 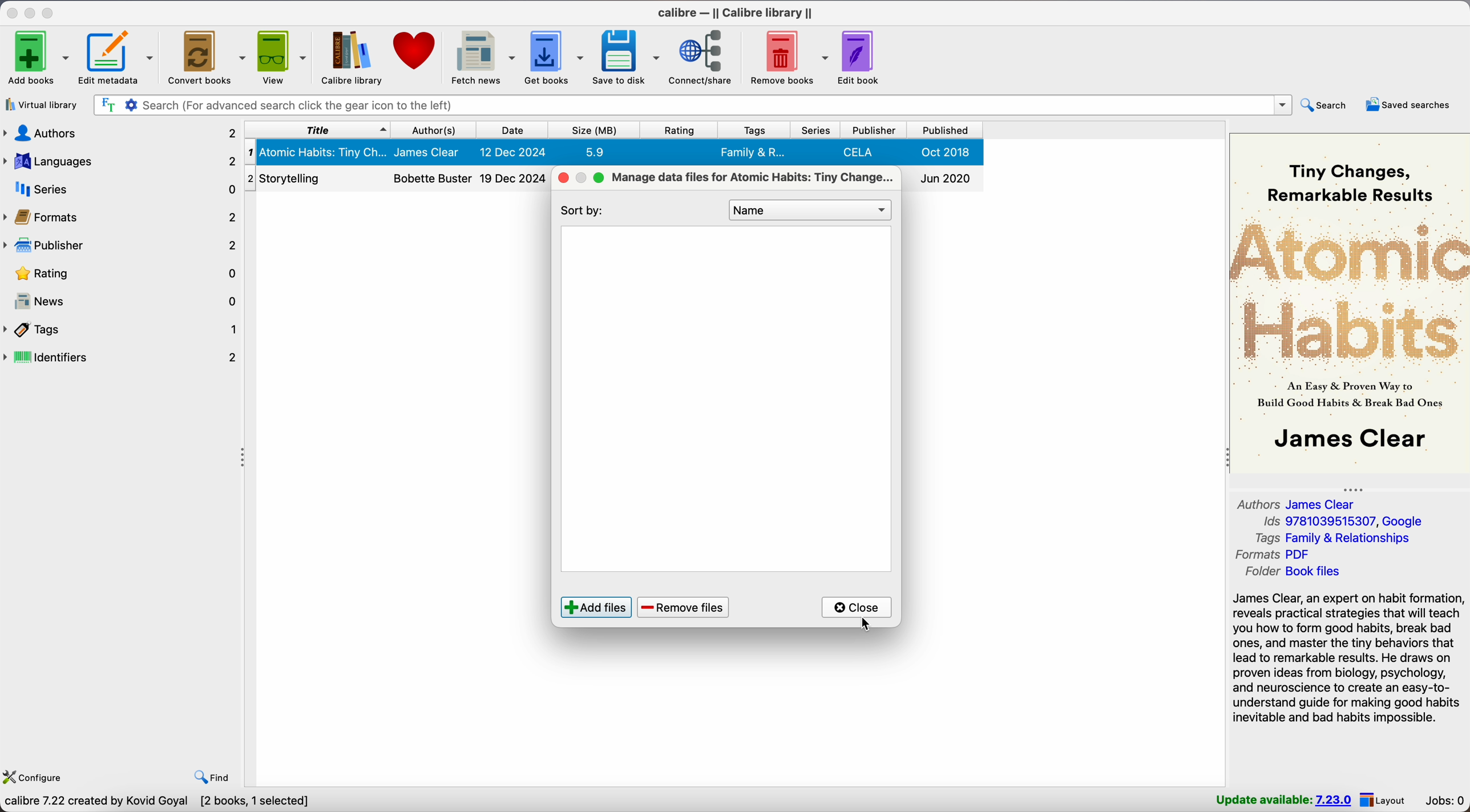 I want to click on saved searches, so click(x=1410, y=105).